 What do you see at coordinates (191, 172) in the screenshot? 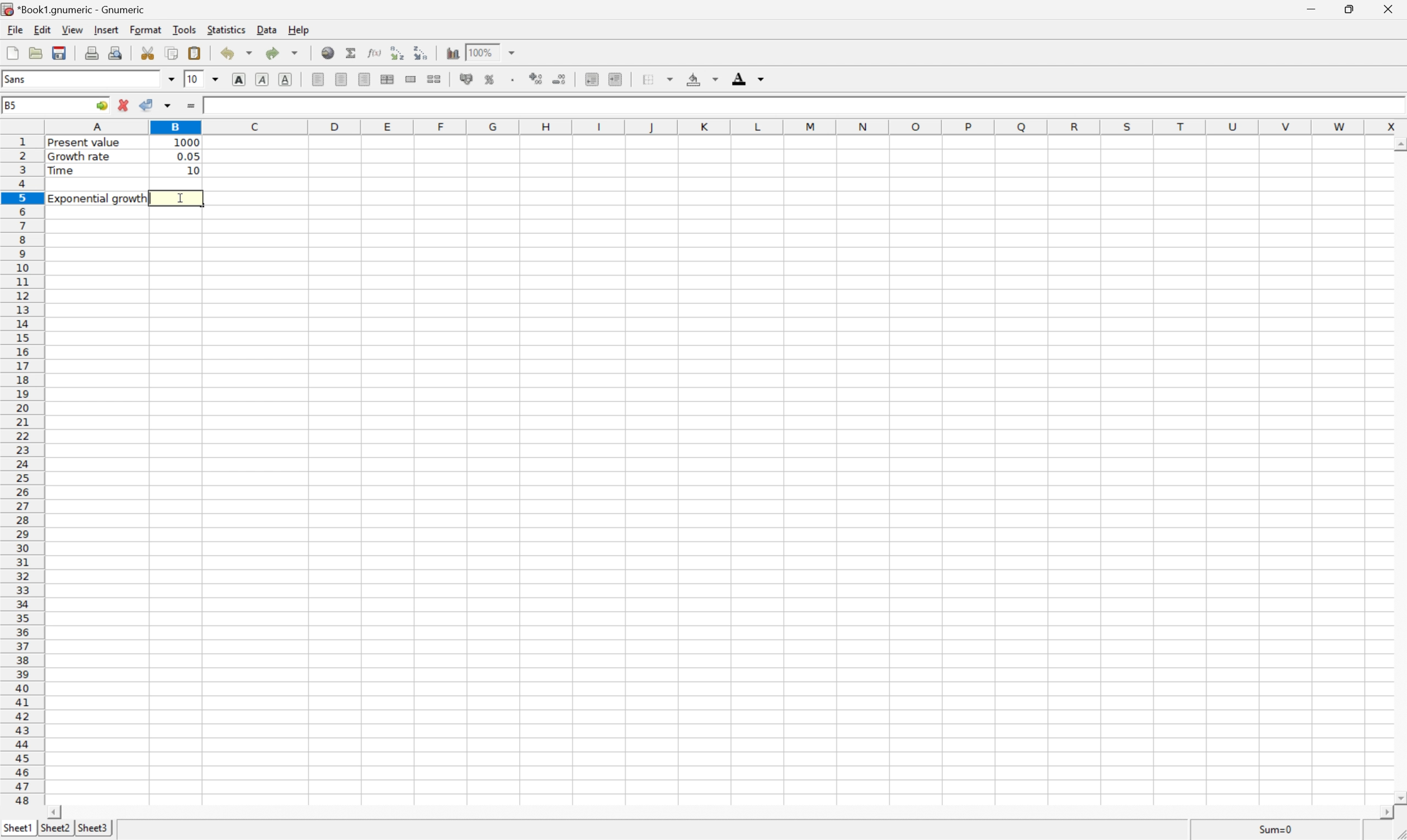
I see `10` at bounding box center [191, 172].